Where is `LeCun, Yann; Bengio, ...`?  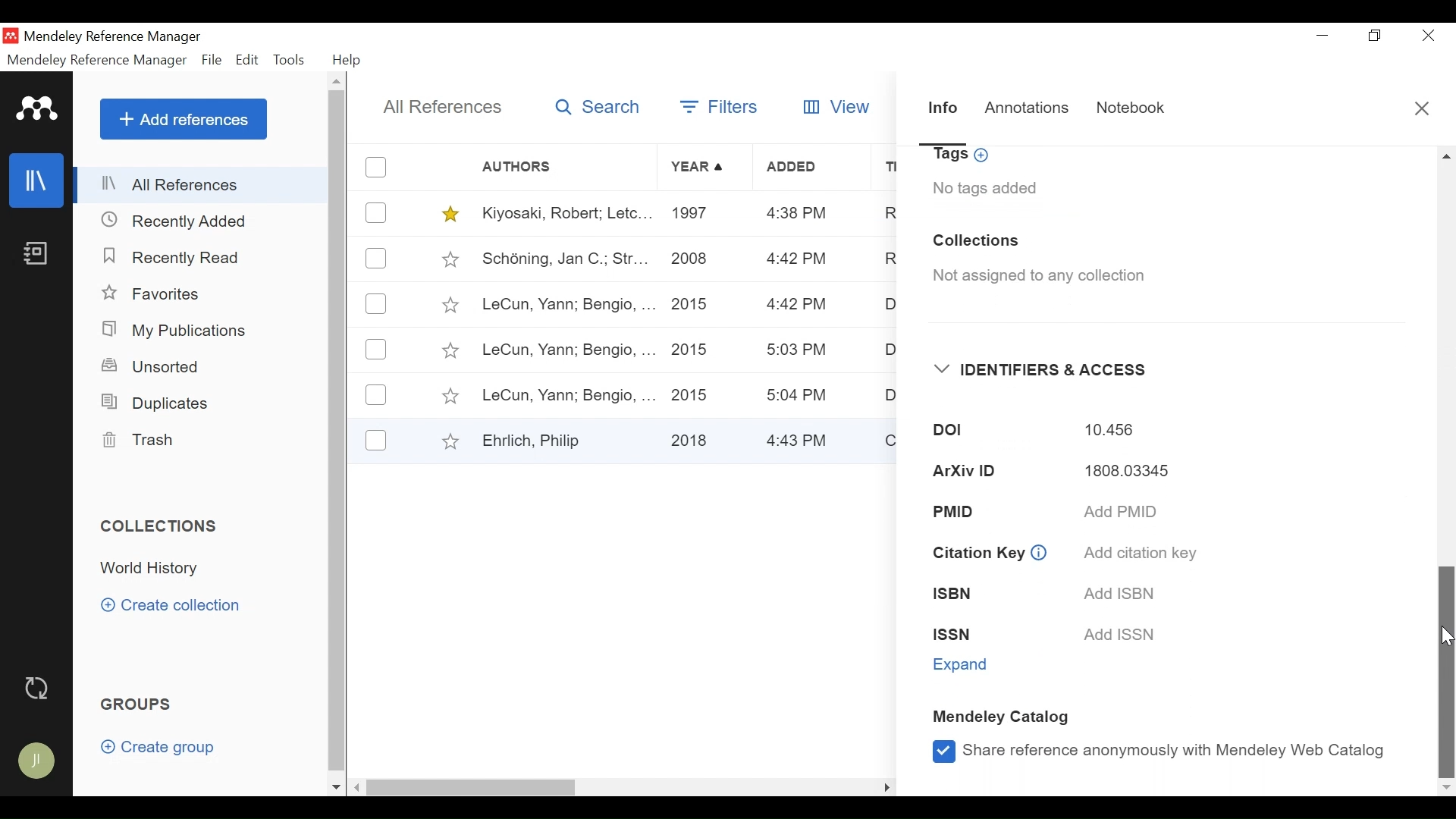 LeCun, Yann; Bengio, ... is located at coordinates (566, 350).